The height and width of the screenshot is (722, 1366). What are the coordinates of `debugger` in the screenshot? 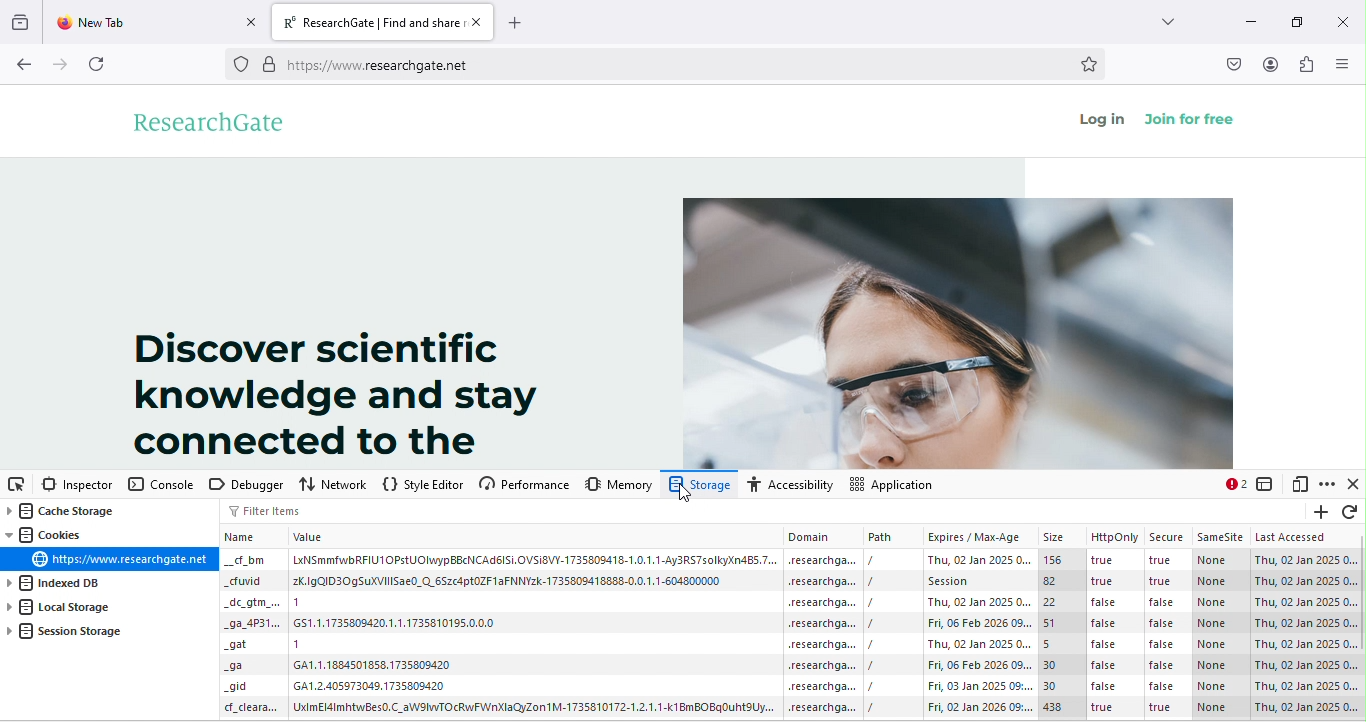 It's located at (244, 485).